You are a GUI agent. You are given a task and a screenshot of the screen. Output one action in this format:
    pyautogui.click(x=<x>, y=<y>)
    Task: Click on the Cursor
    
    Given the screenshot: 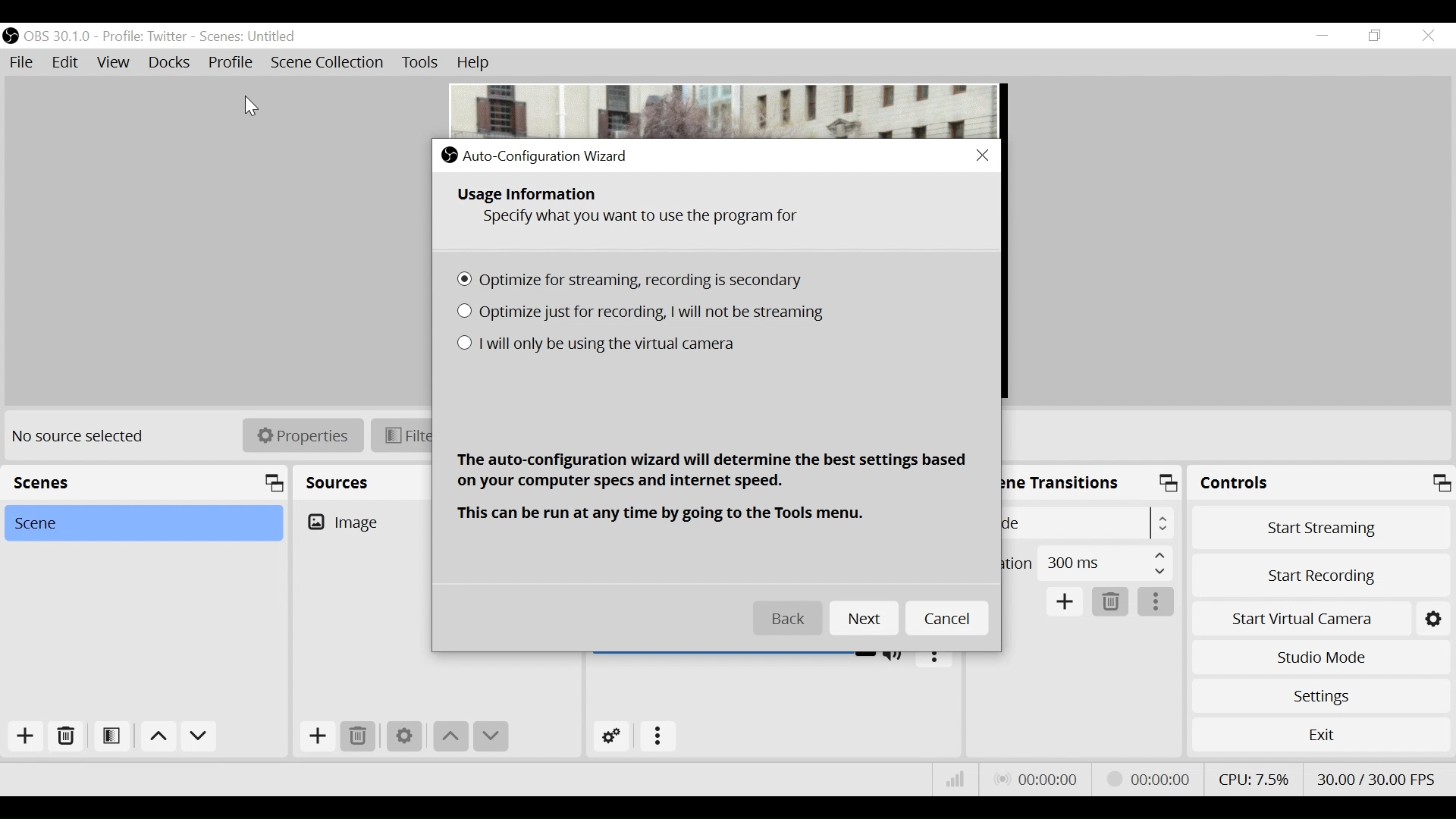 What is the action you would take?
    pyautogui.click(x=248, y=102)
    